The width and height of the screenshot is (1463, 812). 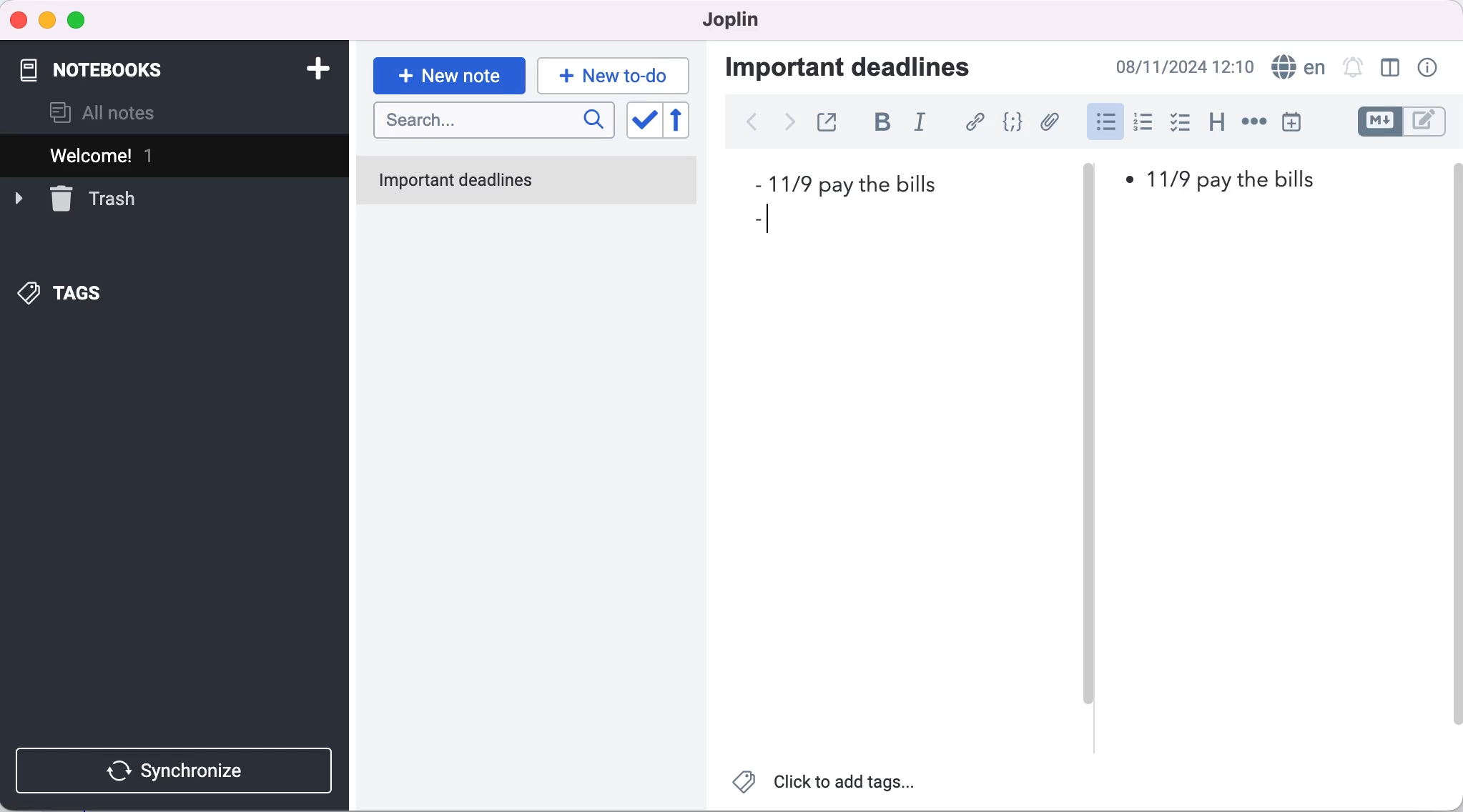 What do you see at coordinates (529, 182) in the screenshot?
I see `important deadlines note` at bounding box center [529, 182].